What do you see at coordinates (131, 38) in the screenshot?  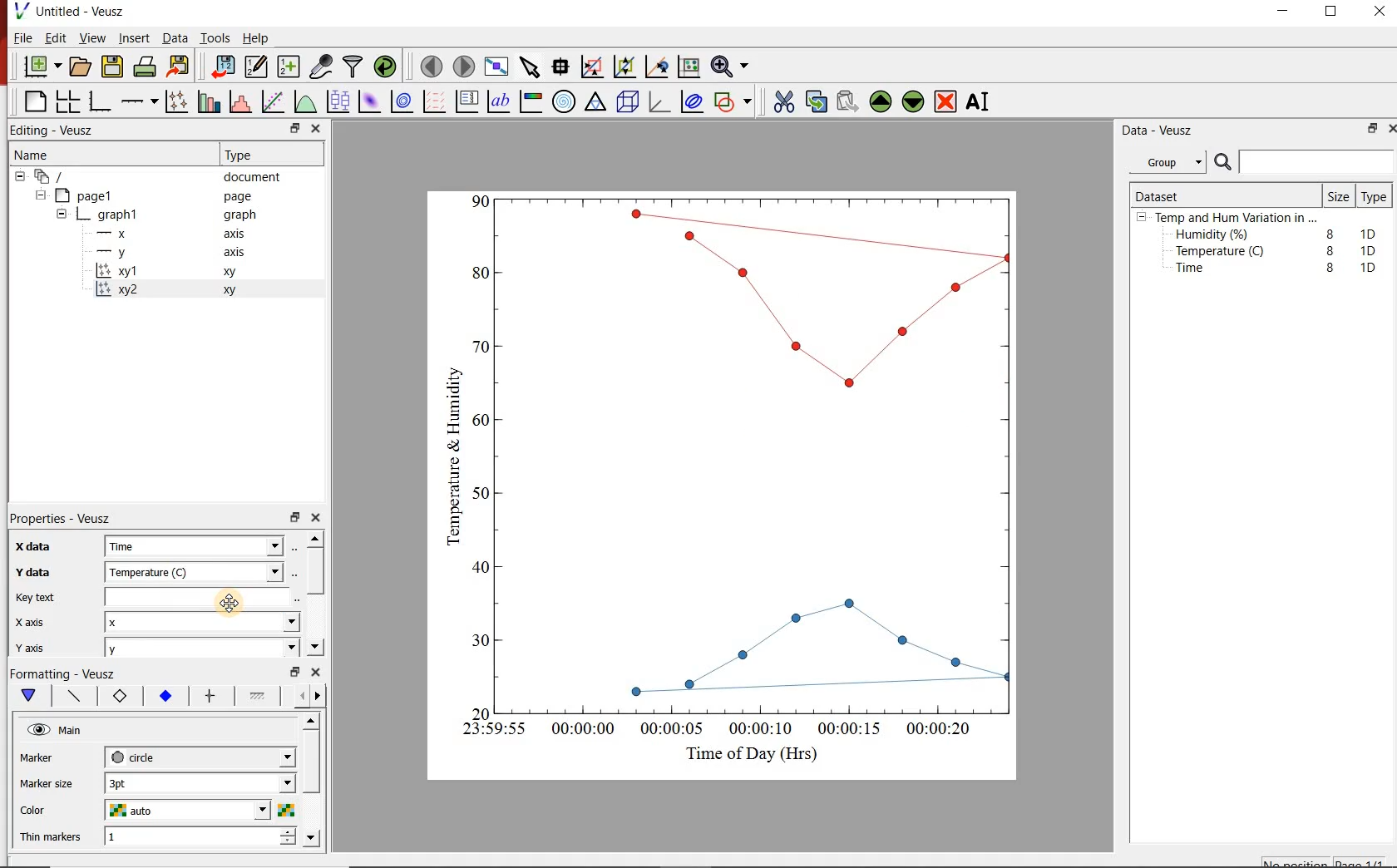 I see `Insert` at bounding box center [131, 38].